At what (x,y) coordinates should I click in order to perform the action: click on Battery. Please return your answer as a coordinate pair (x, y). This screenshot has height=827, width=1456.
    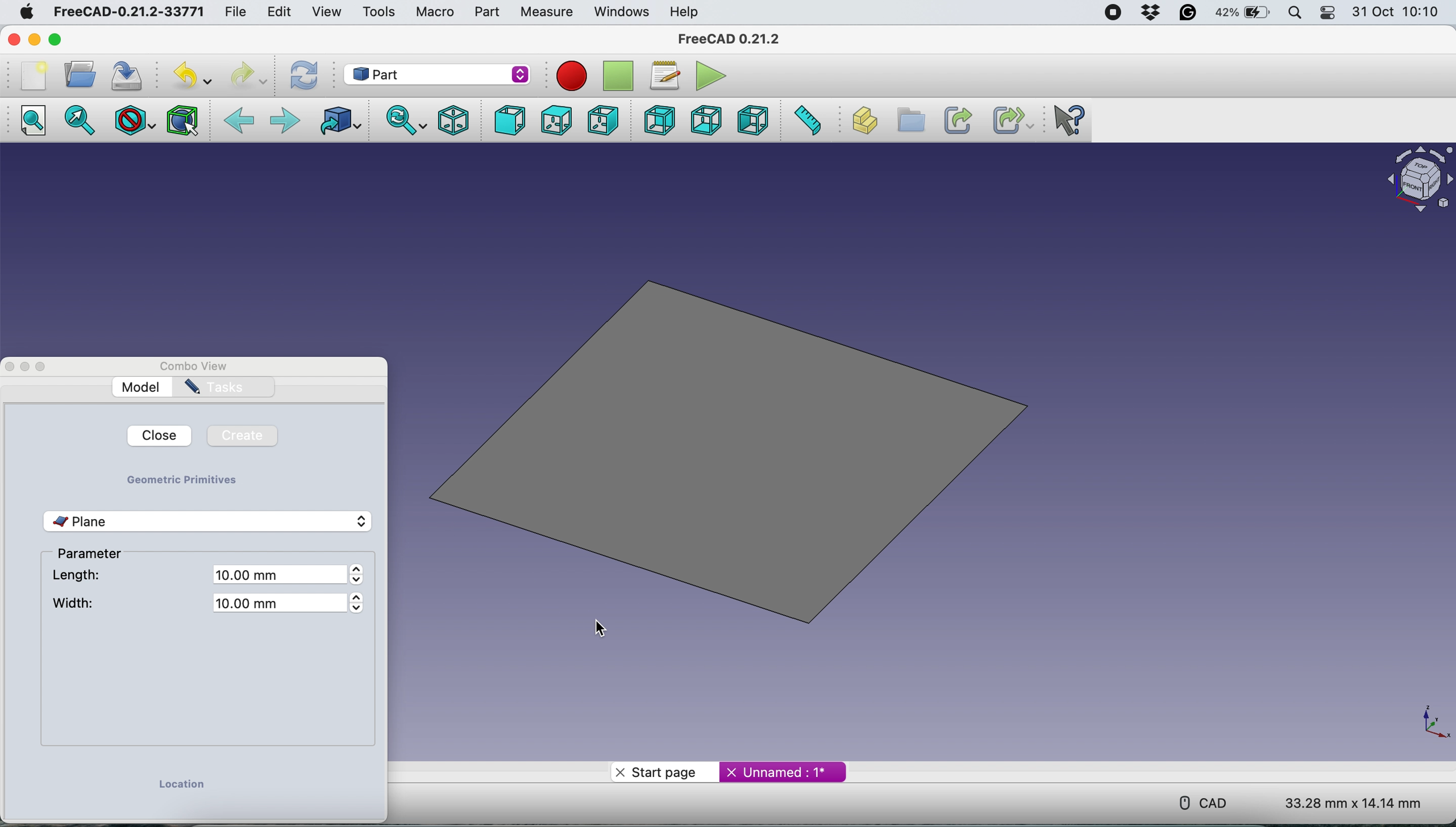
    Looking at the image, I should click on (1239, 11).